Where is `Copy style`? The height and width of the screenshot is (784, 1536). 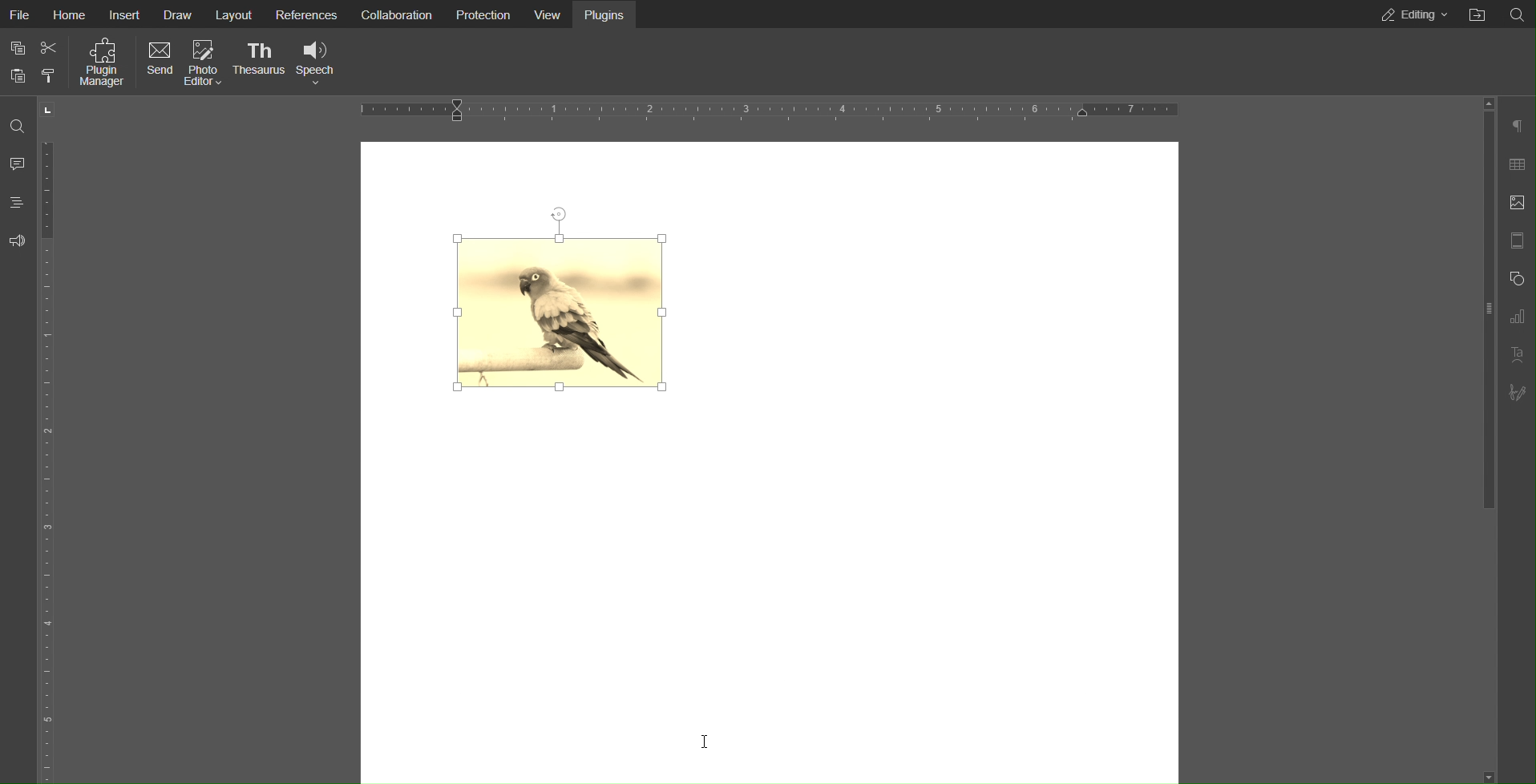 Copy style is located at coordinates (47, 73).